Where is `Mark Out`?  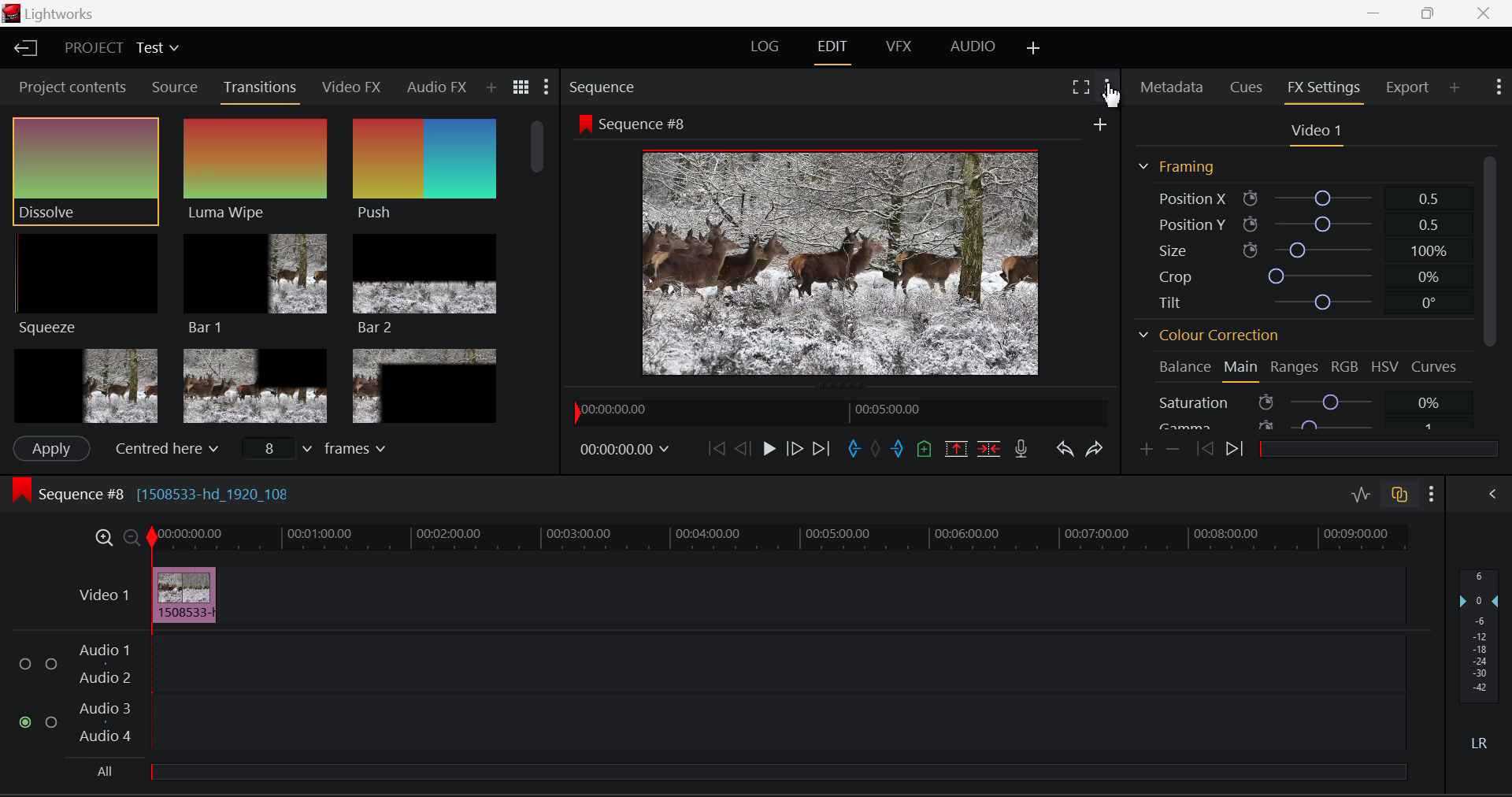
Mark Out is located at coordinates (899, 448).